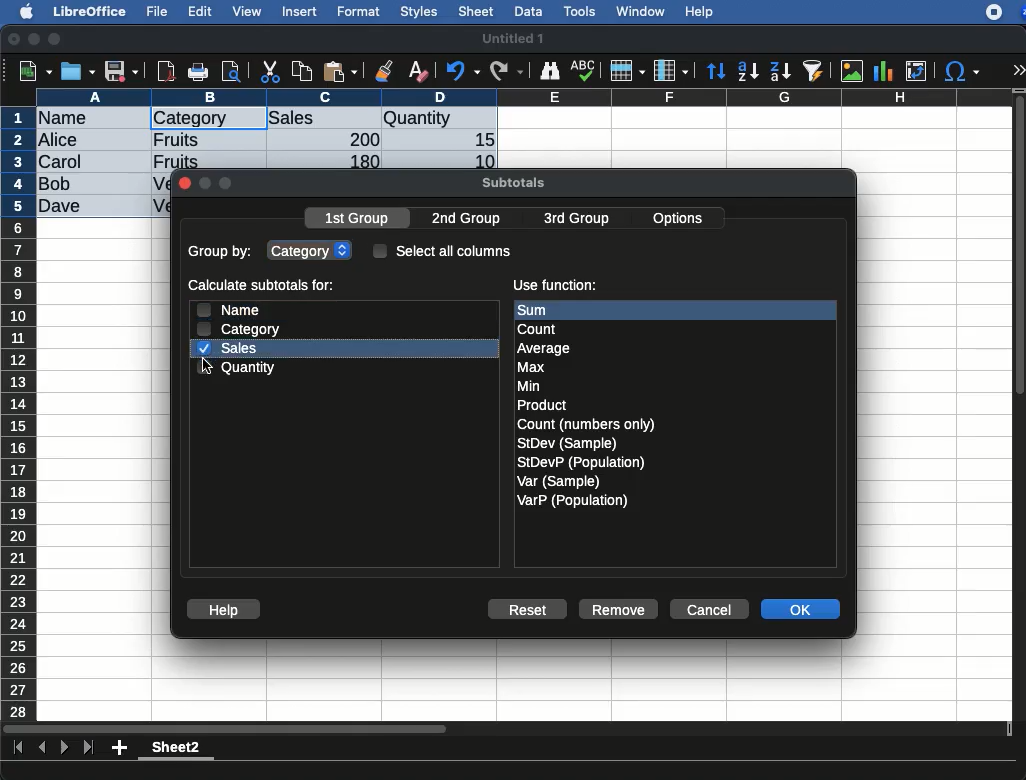 This screenshot has width=1026, height=780. I want to click on remove, so click(619, 609).